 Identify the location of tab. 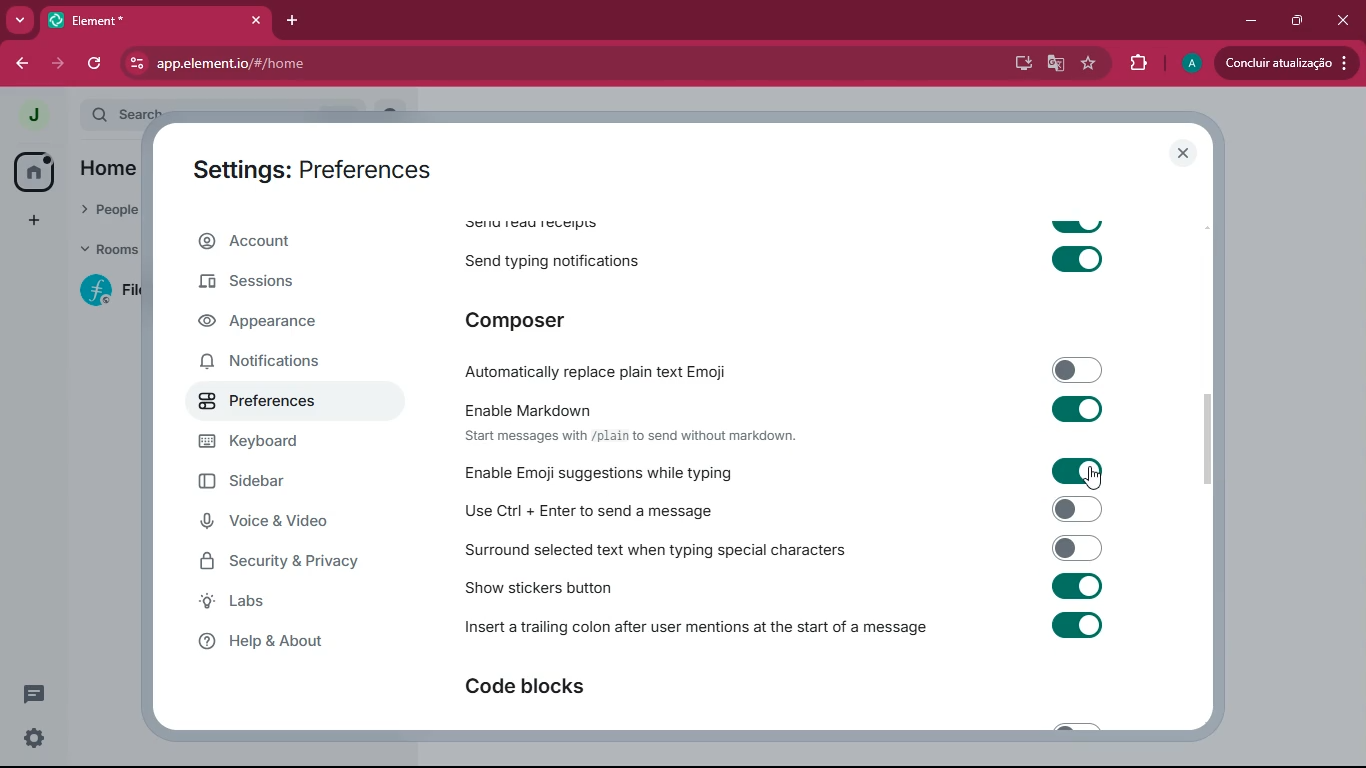
(153, 20).